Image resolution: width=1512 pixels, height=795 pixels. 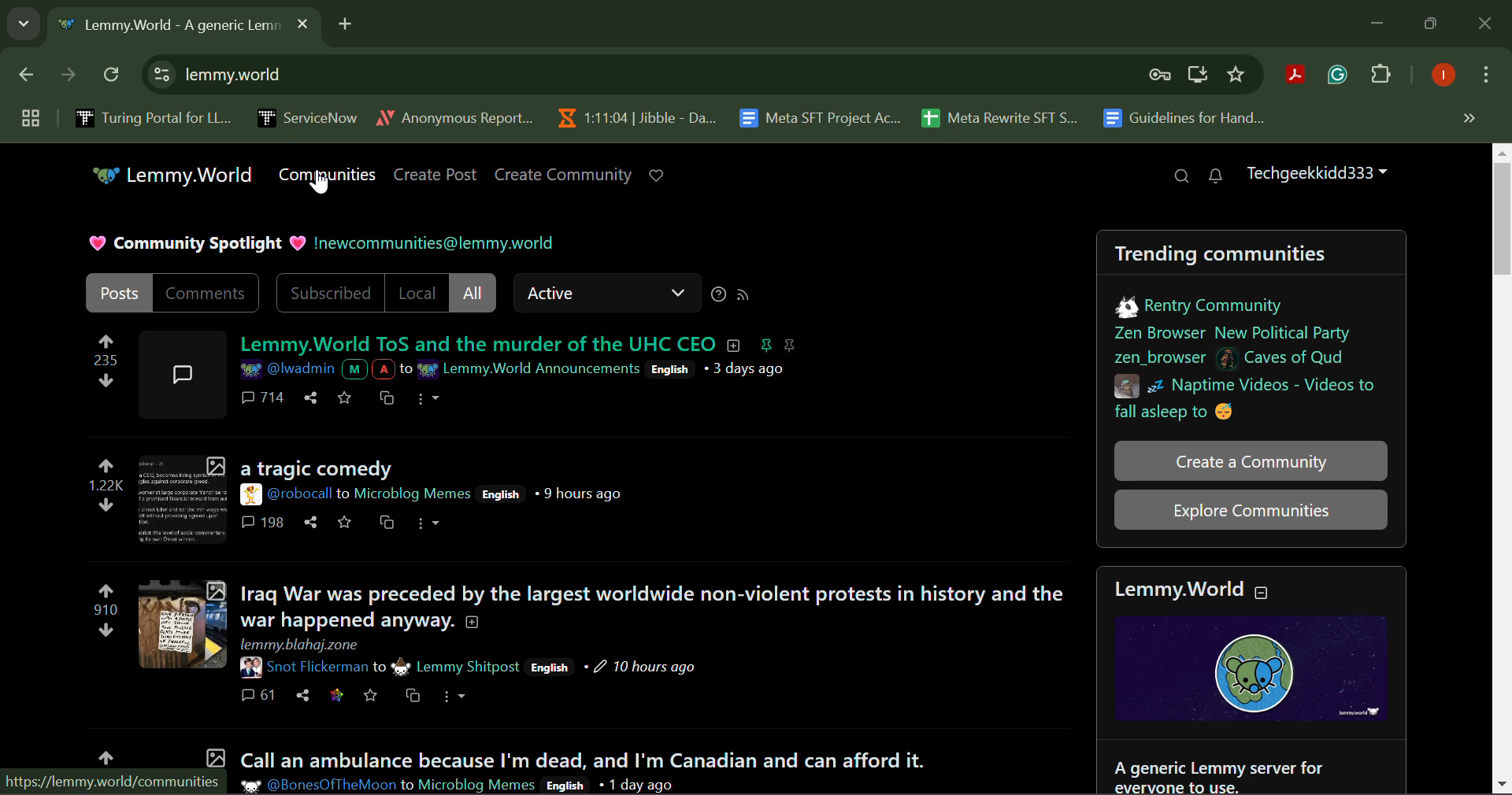 I want to click on Cross-post, so click(x=409, y=695).